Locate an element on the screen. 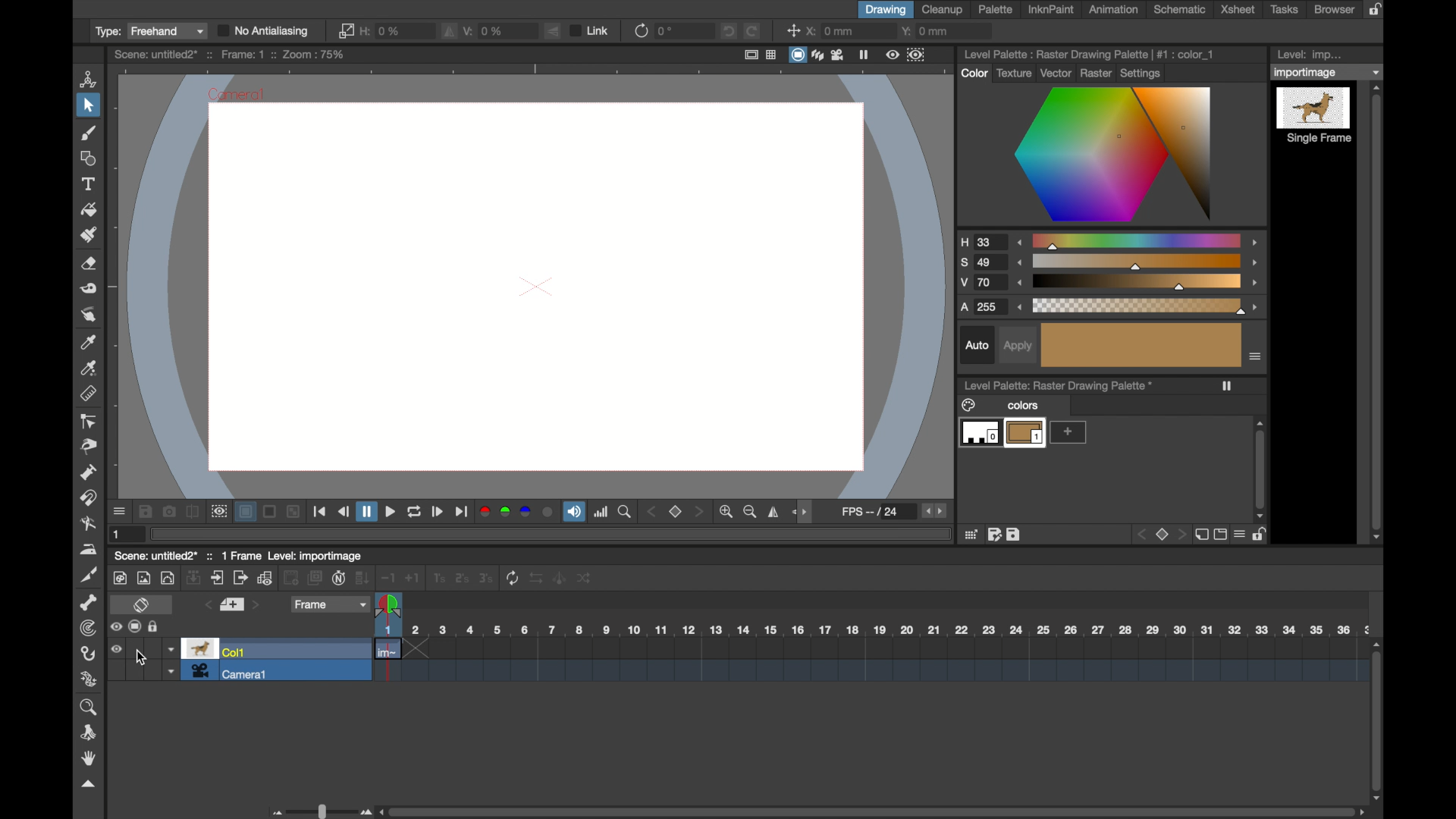 The height and width of the screenshot is (819, 1456). cleanup is located at coordinates (943, 9).